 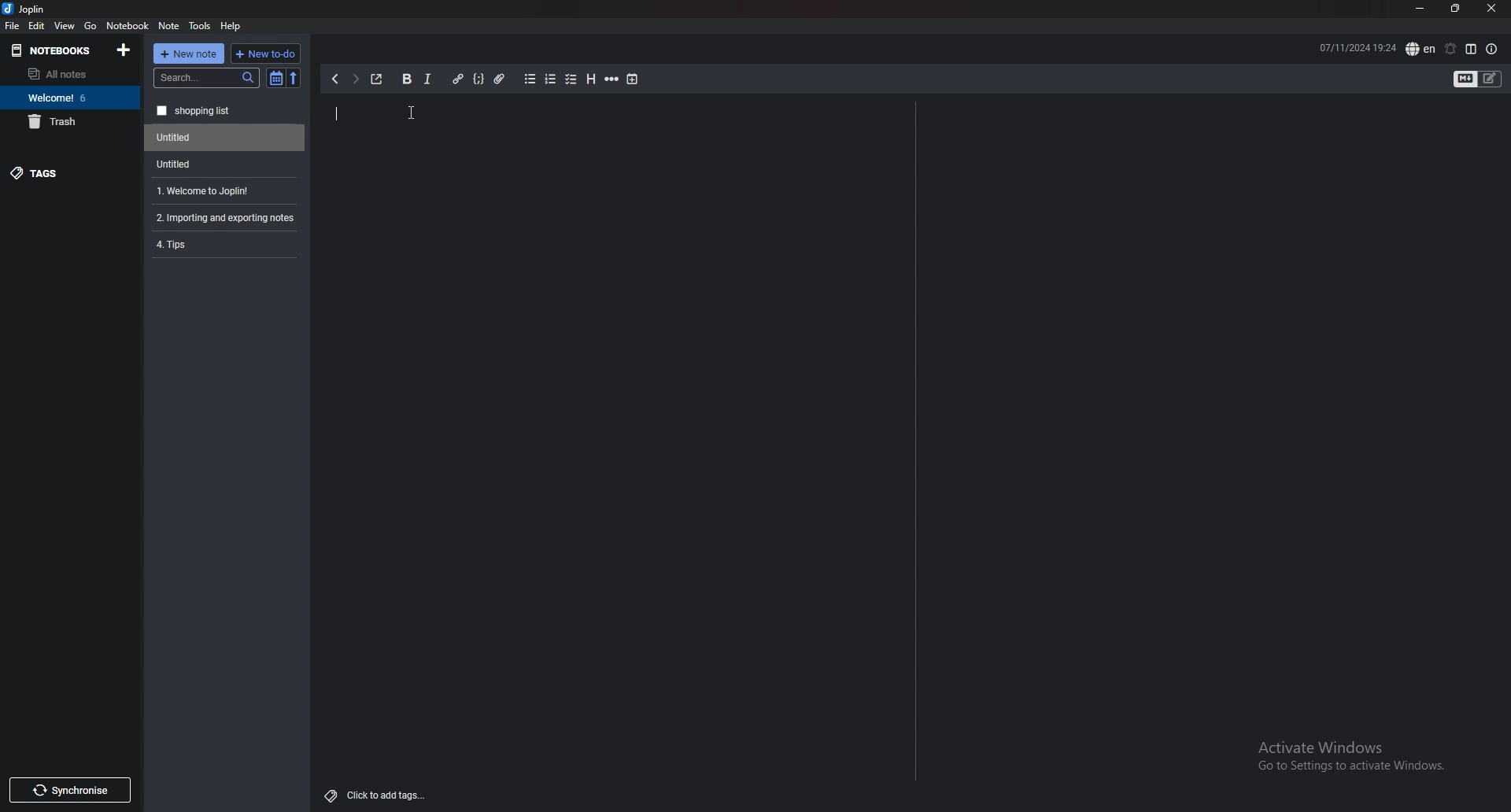 I want to click on new note, so click(x=189, y=54).